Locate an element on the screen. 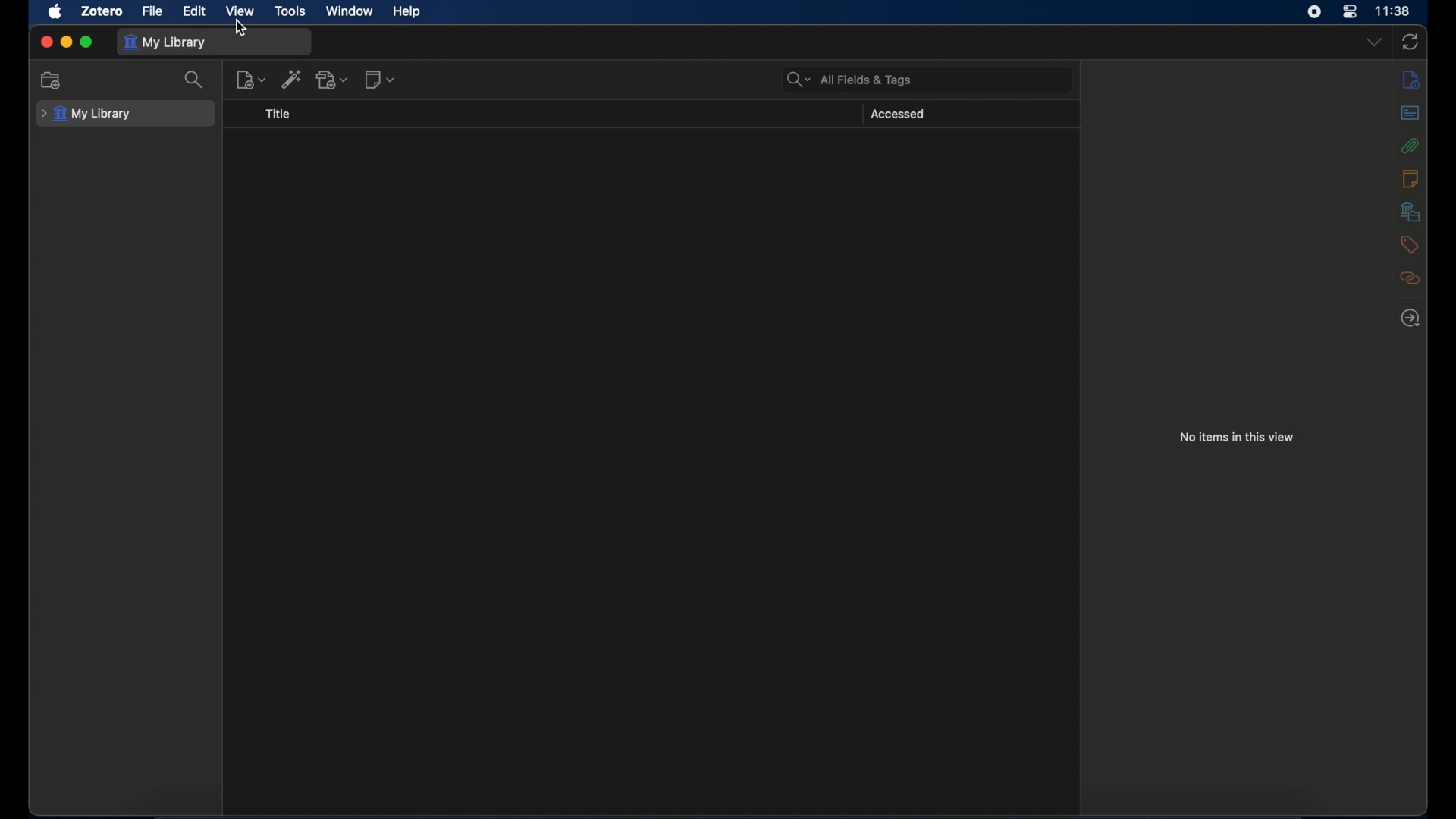 Image resolution: width=1456 pixels, height=819 pixels. new notes is located at coordinates (381, 80).